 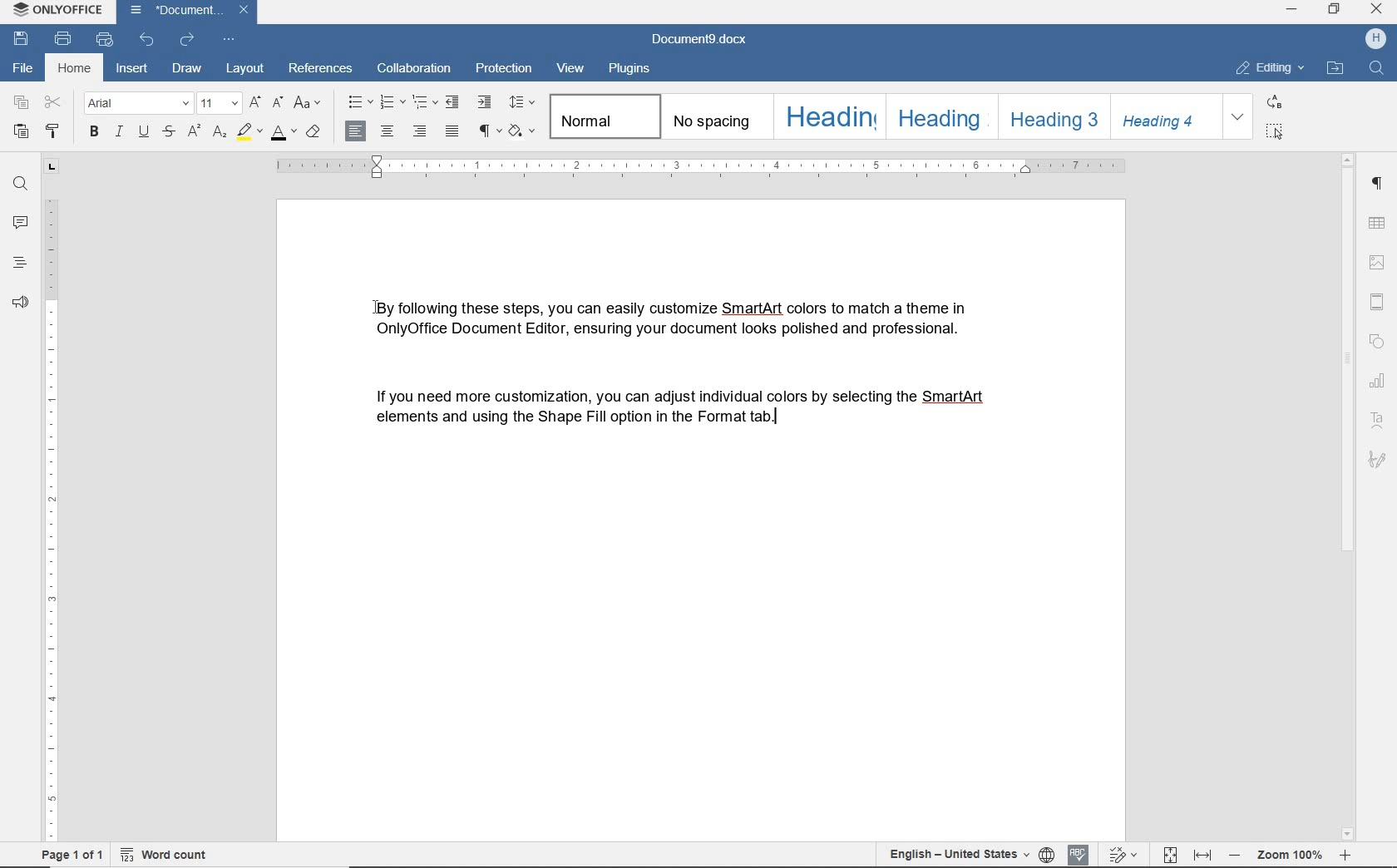 What do you see at coordinates (20, 264) in the screenshot?
I see `headings` at bounding box center [20, 264].